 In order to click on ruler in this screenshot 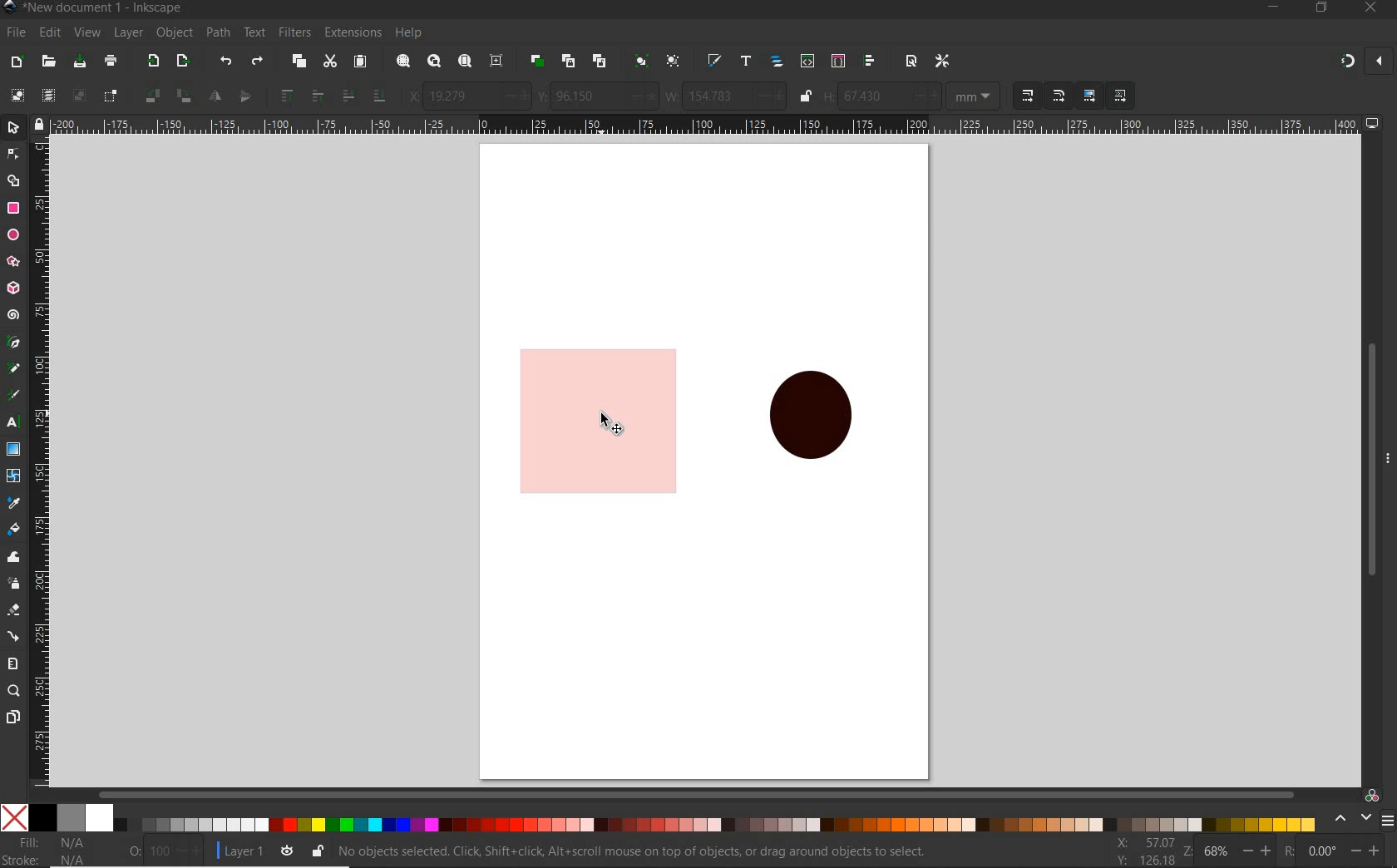, I will do `click(708, 124)`.